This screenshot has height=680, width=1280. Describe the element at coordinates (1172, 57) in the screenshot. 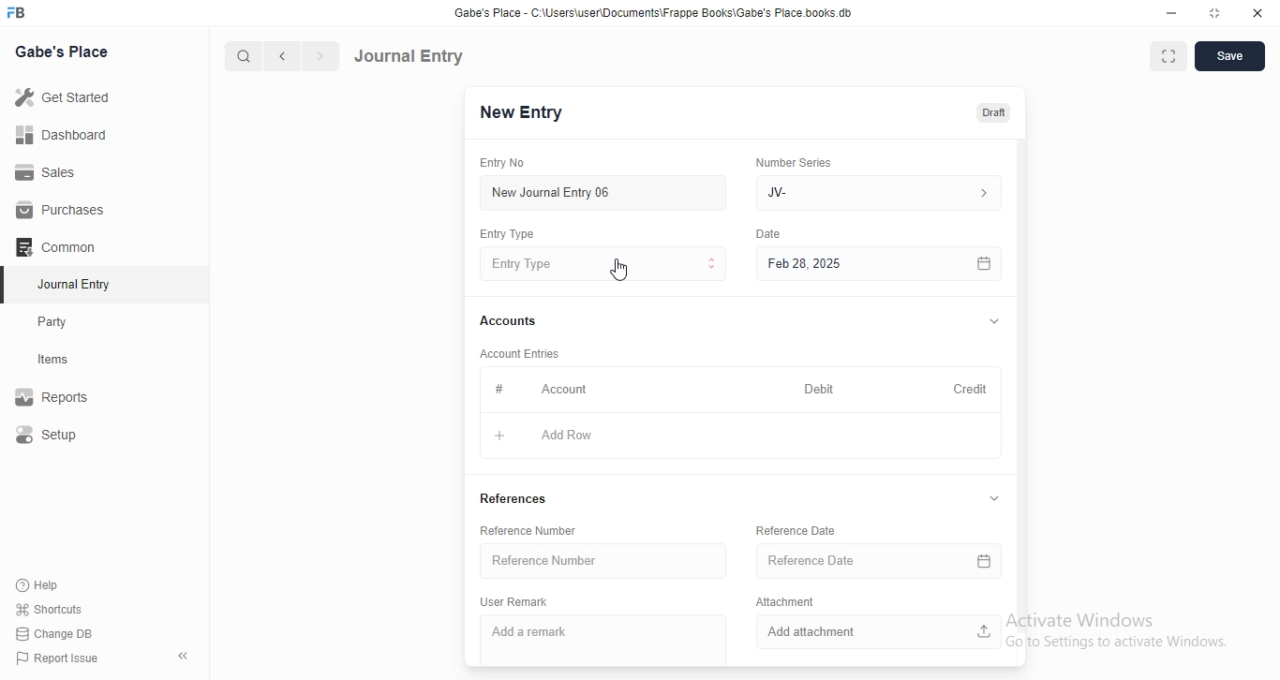

I see `full screen` at that location.